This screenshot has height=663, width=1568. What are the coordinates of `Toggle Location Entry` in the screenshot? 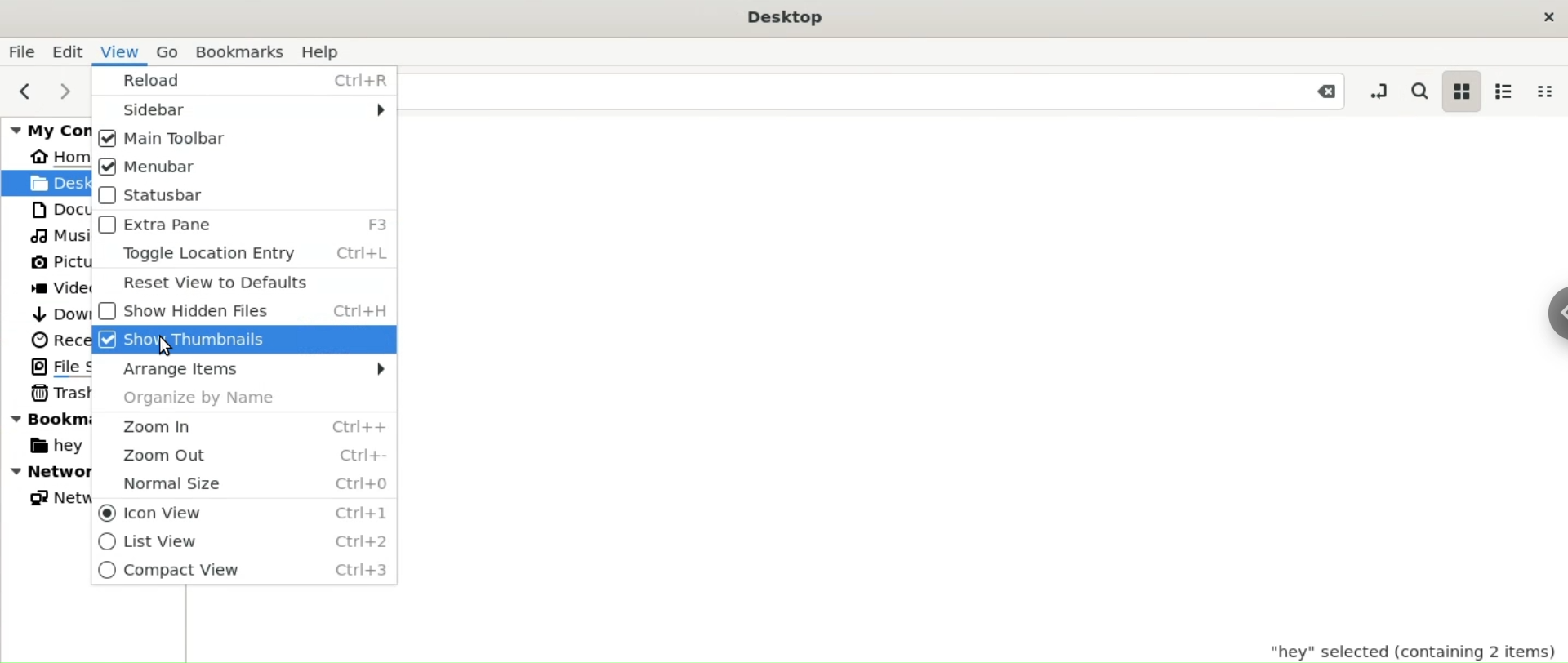 It's located at (237, 253).